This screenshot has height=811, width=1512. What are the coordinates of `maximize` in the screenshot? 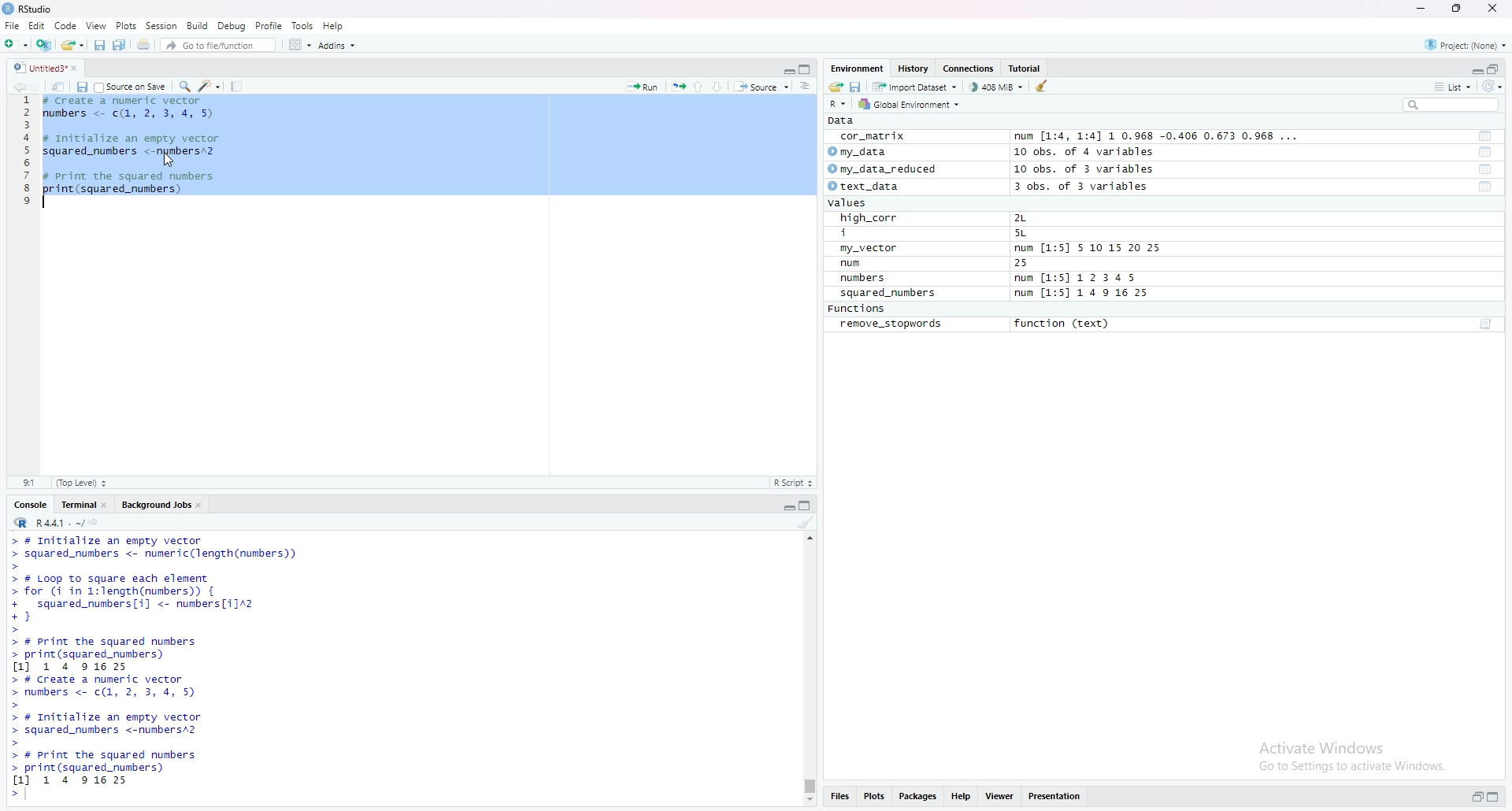 It's located at (1495, 68).